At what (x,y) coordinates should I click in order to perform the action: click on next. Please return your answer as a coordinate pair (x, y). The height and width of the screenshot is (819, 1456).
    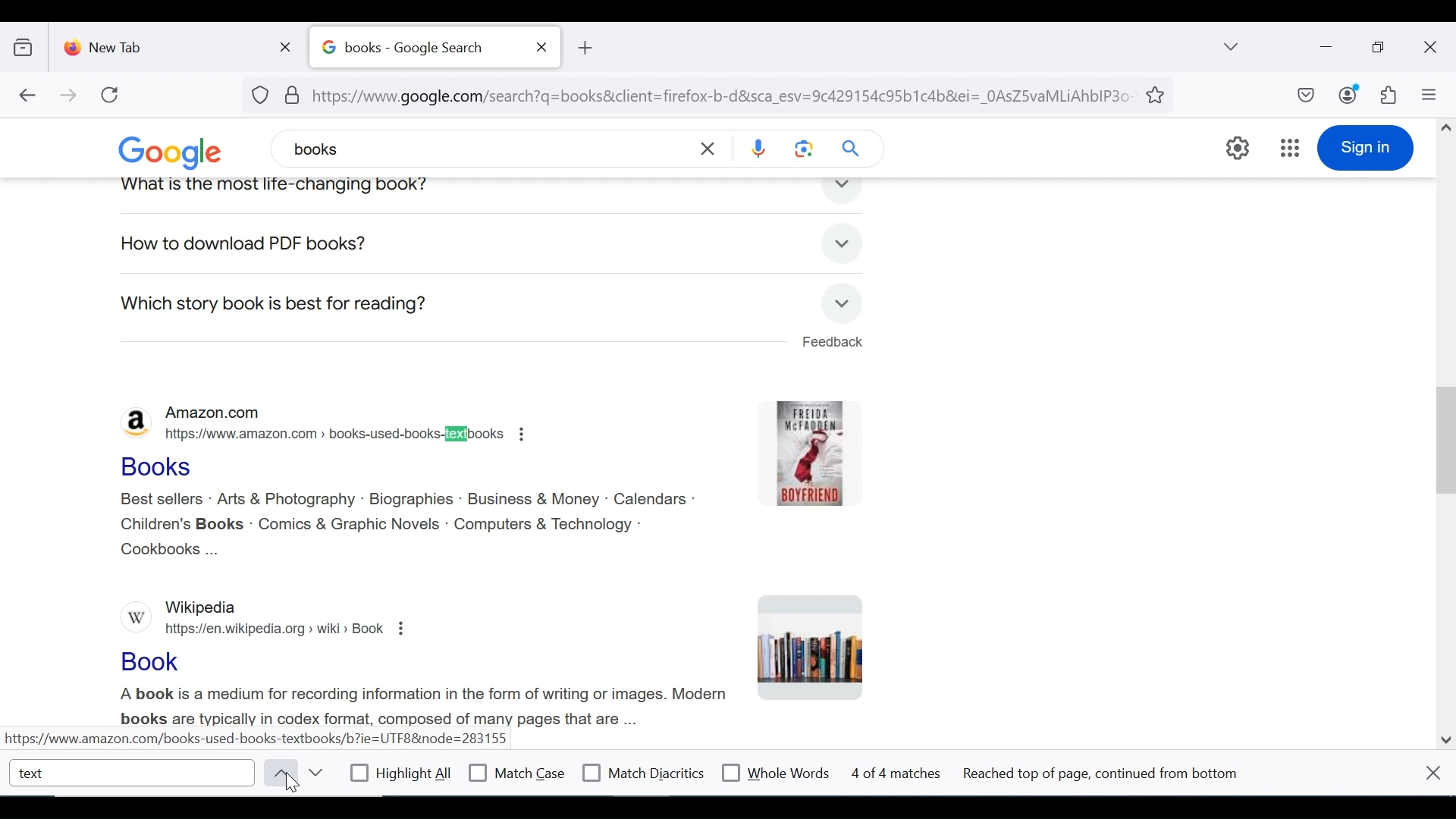
    Looking at the image, I should click on (315, 773).